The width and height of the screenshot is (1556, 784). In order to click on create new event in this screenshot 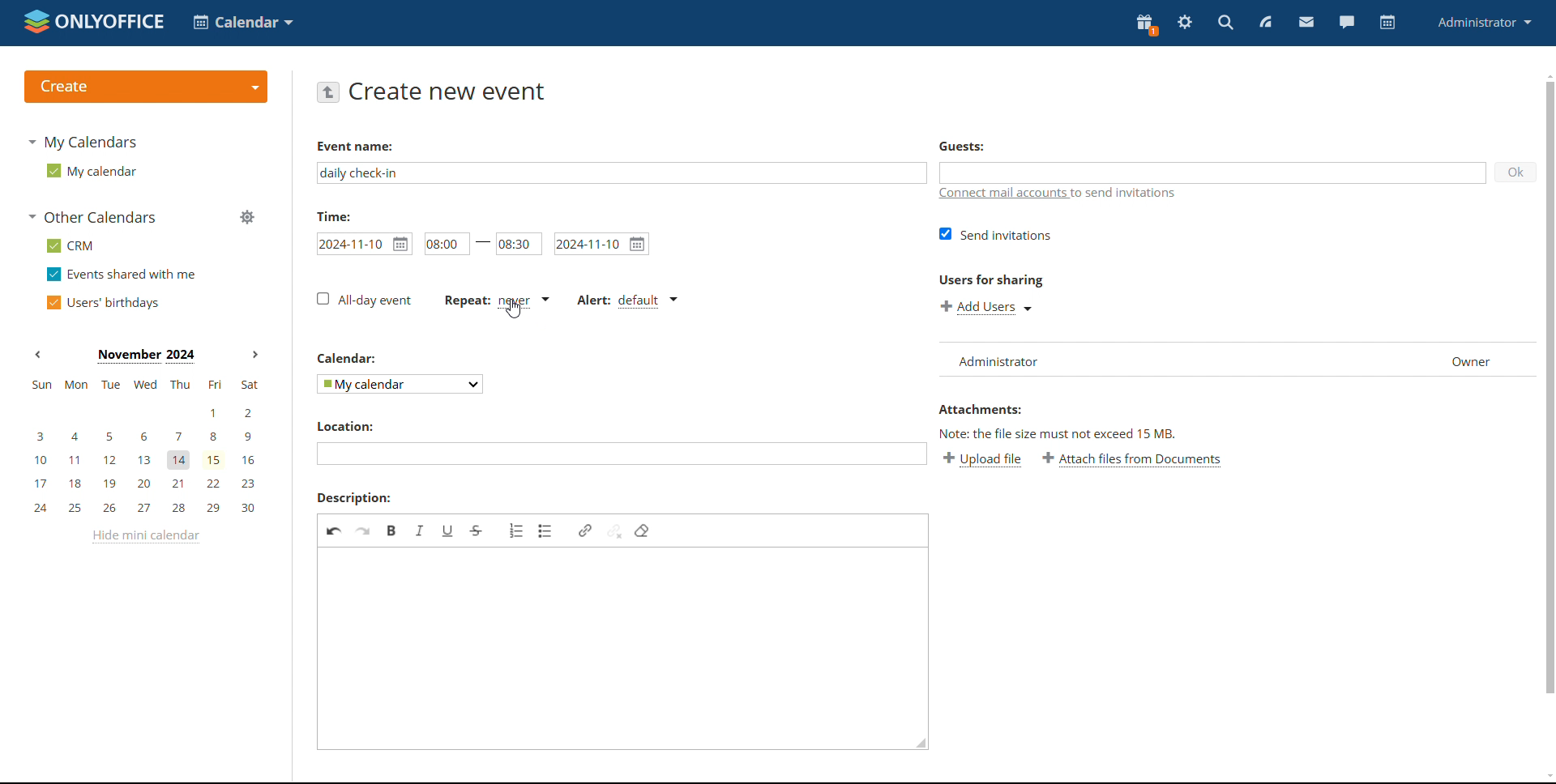, I will do `click(447, 92)`.